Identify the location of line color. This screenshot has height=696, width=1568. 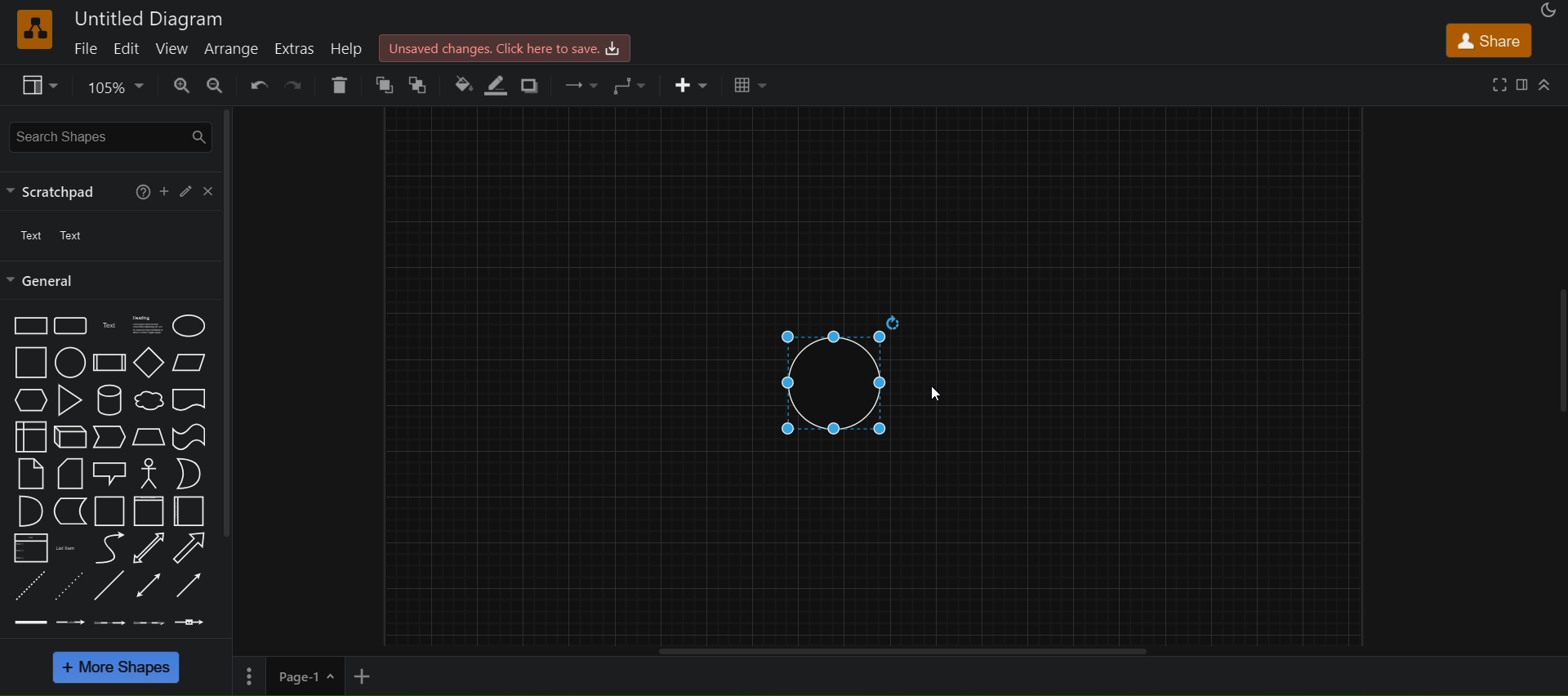
(498, 85).